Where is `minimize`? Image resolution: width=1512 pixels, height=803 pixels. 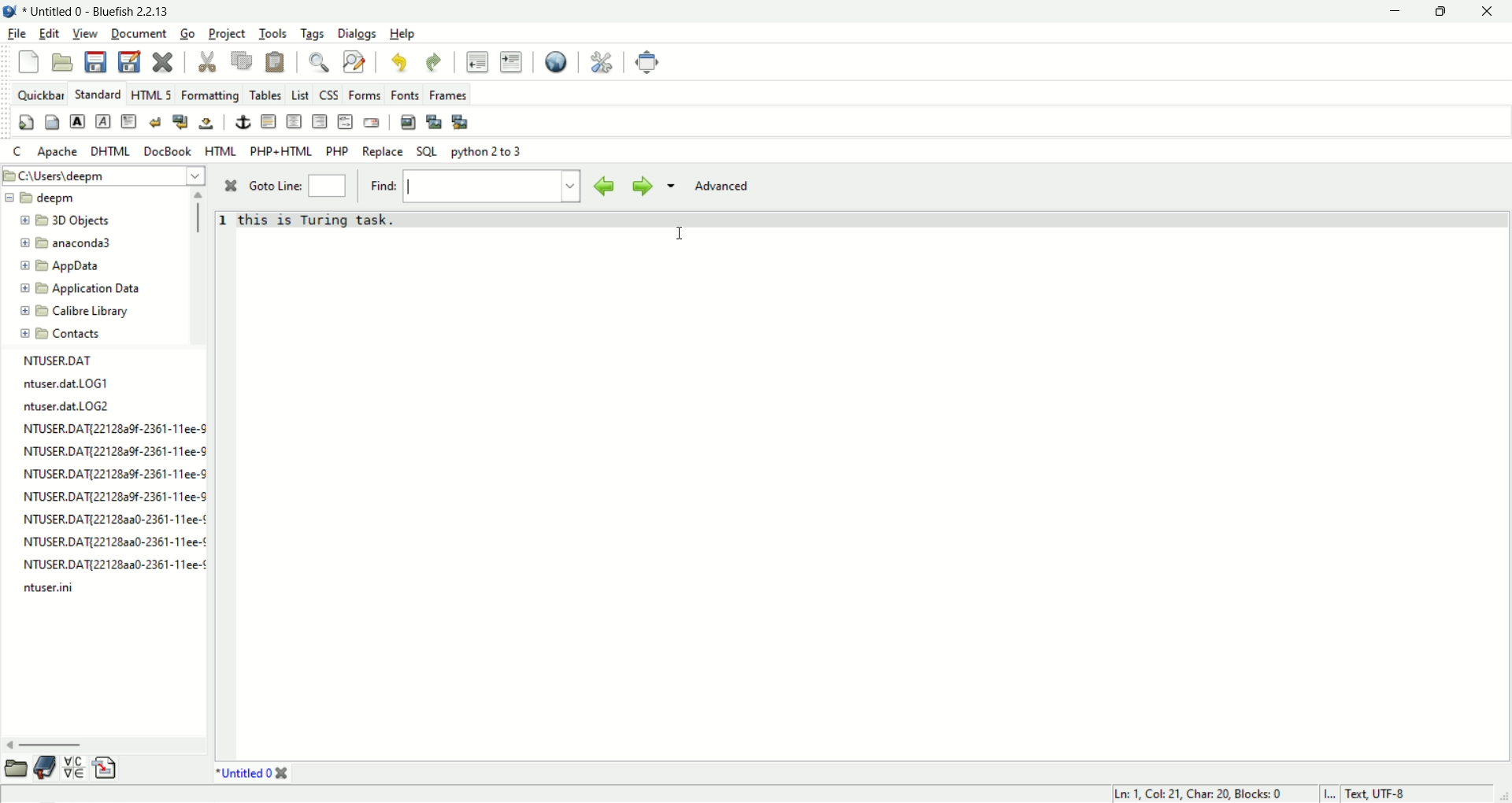
minimize is located at coordinates (1391, 13).